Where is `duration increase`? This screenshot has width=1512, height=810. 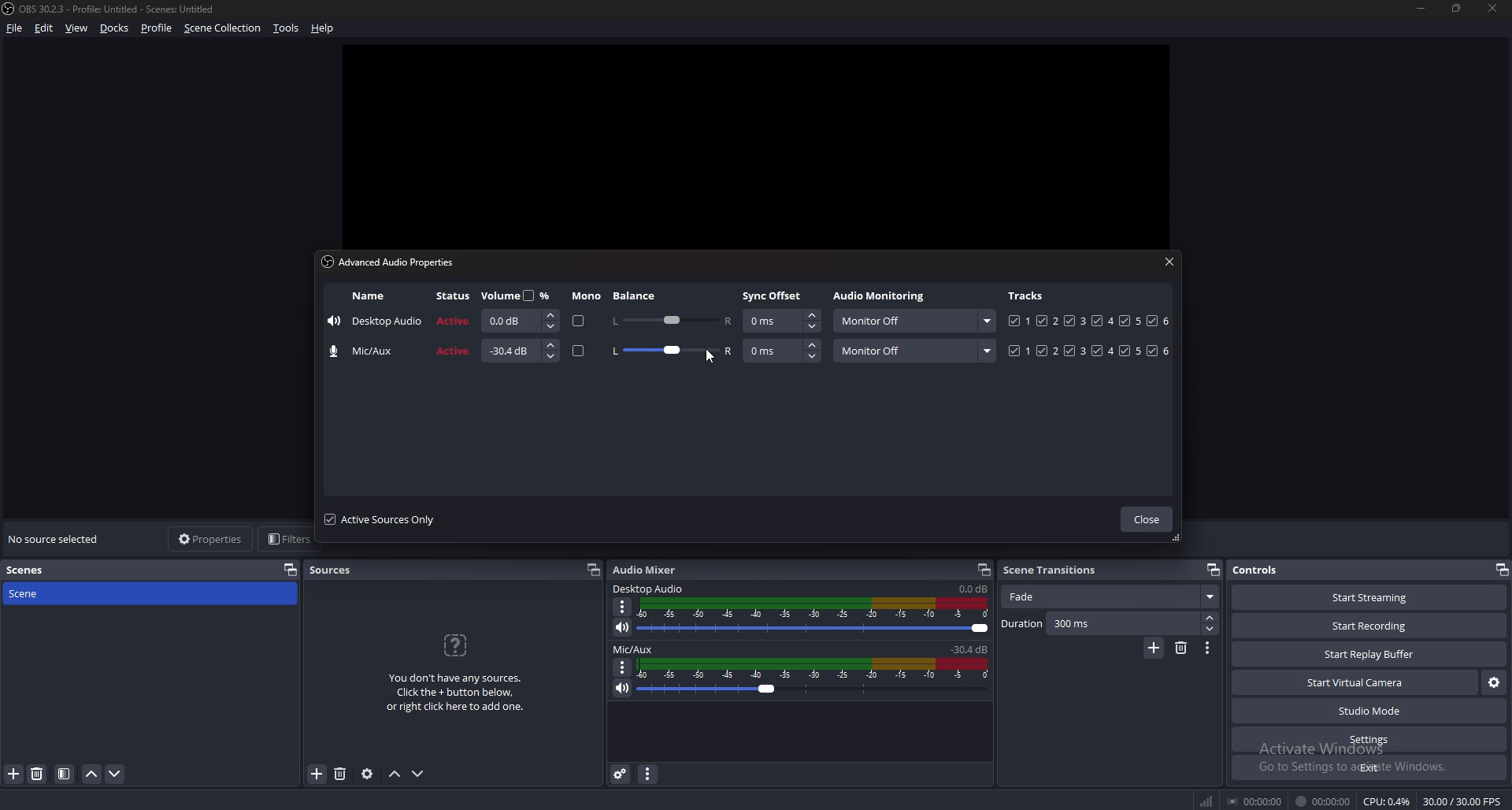
duration increase is located at coordinates (1211, 619).